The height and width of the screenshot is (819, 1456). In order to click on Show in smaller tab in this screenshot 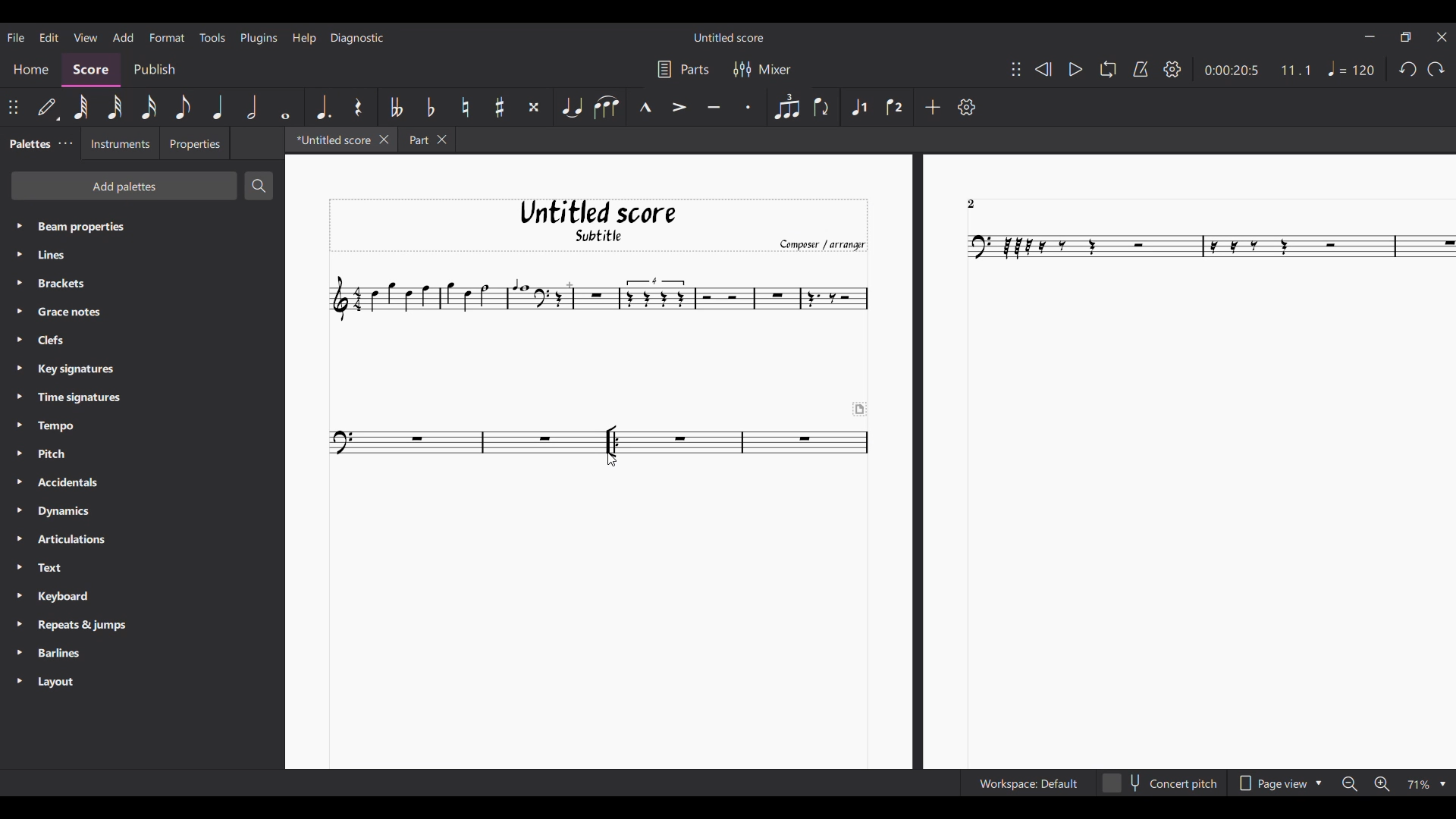, I will do `click(1406, 36)`.